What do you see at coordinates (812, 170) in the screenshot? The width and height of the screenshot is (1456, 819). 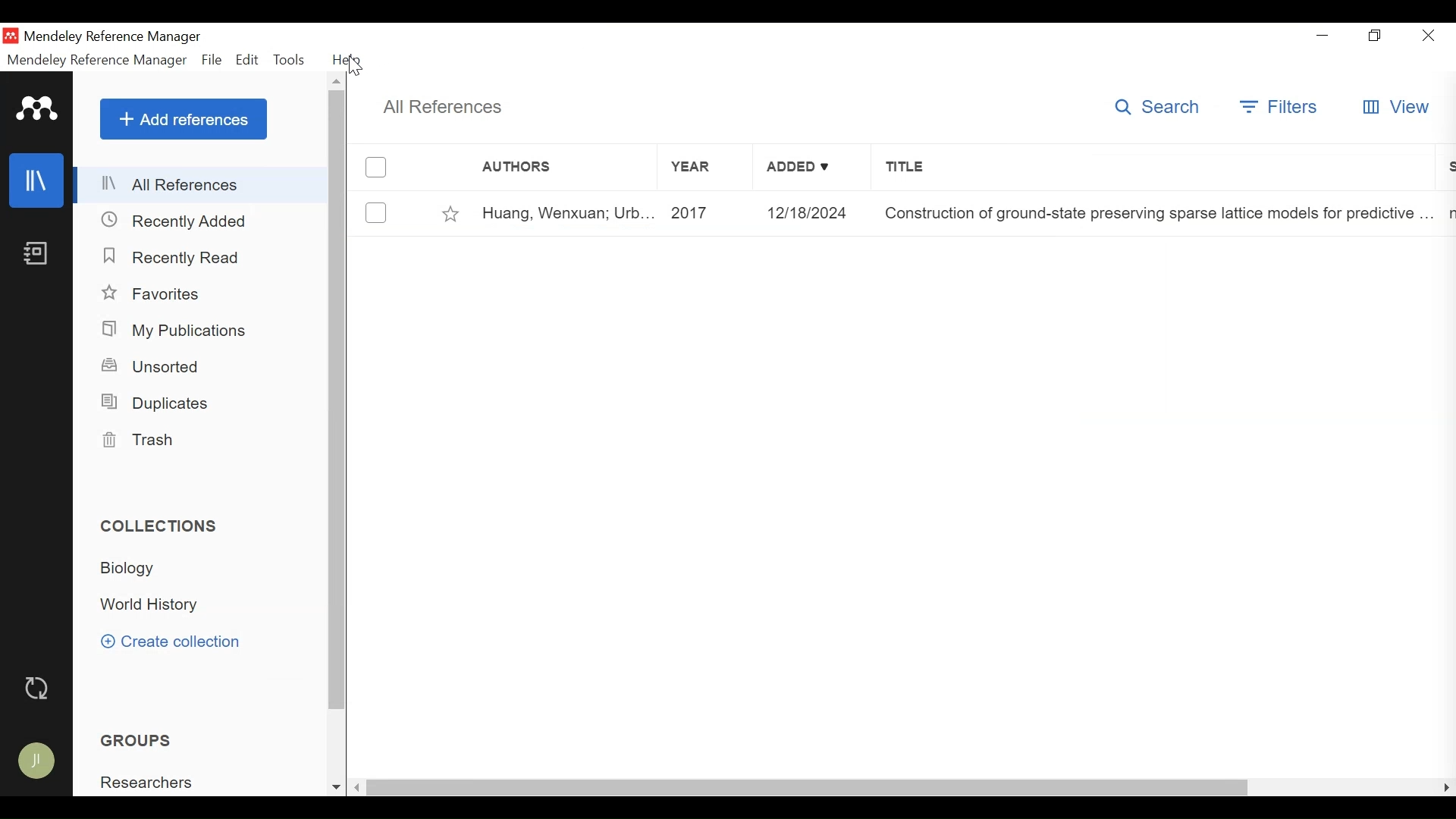 I see `Added` at bounding box center [812, 170].